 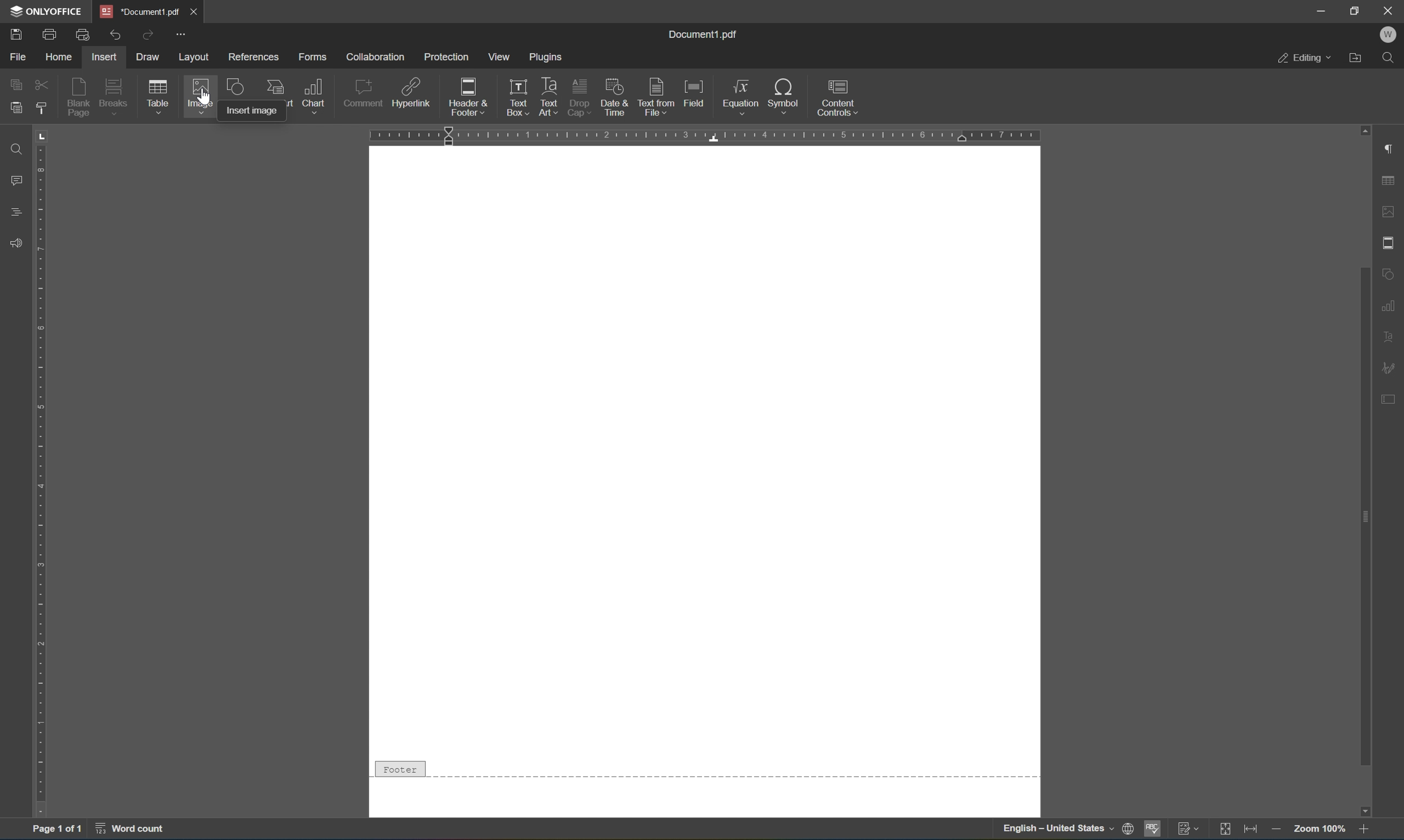 What do you see at coordinates (496, 57) in the screenshot?
I see `view` at bounding box center [496, 57].